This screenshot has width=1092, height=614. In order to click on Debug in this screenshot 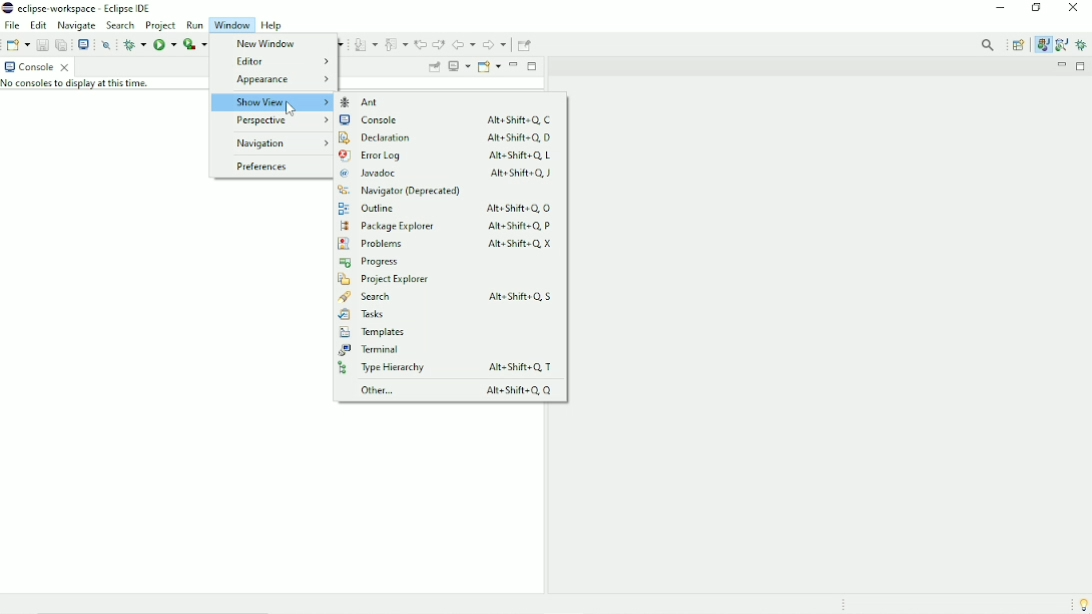, I will do `click(134, 44)`.